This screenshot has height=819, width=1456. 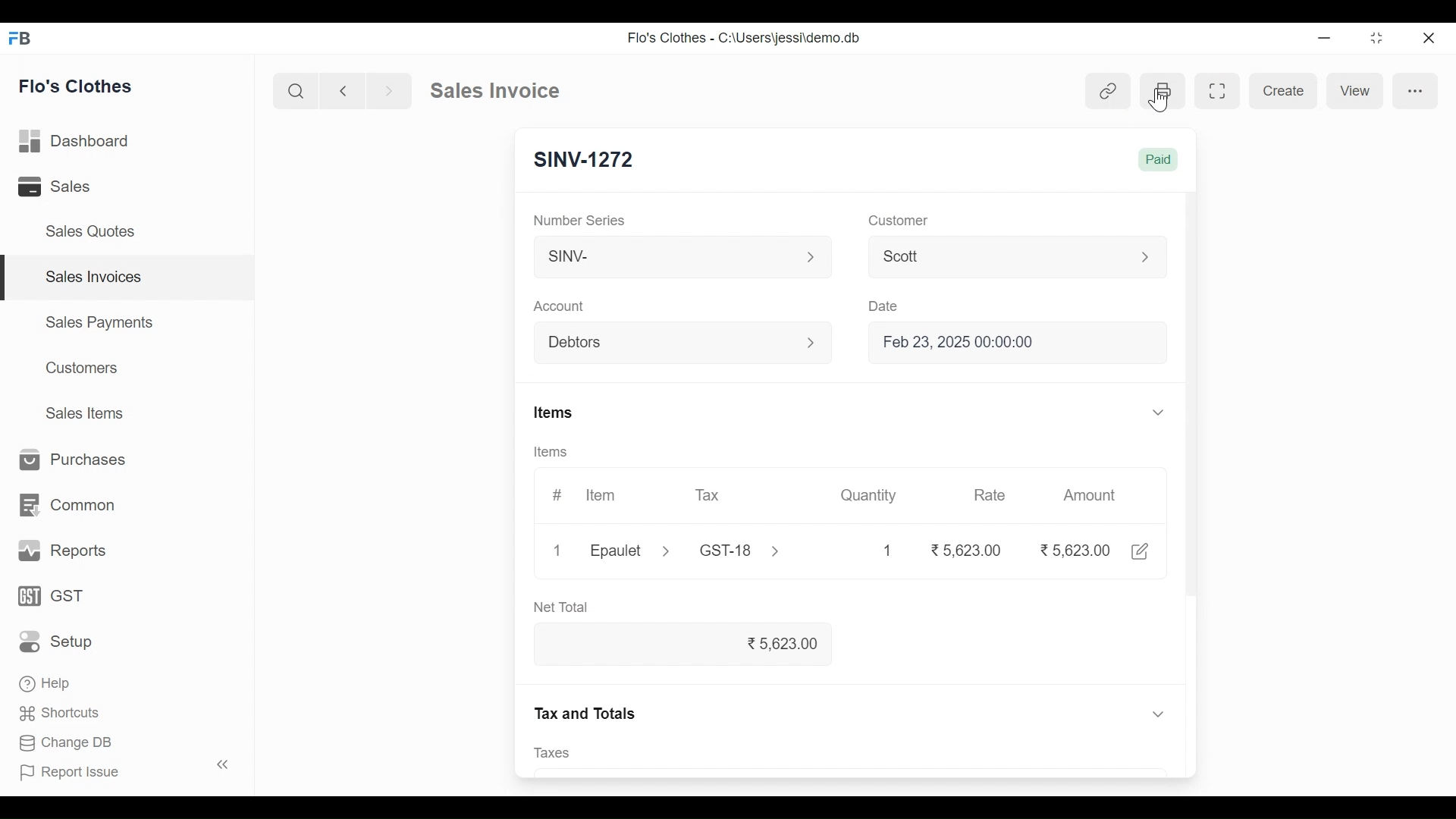 I want to click on Help, so click(x=46, y=686).